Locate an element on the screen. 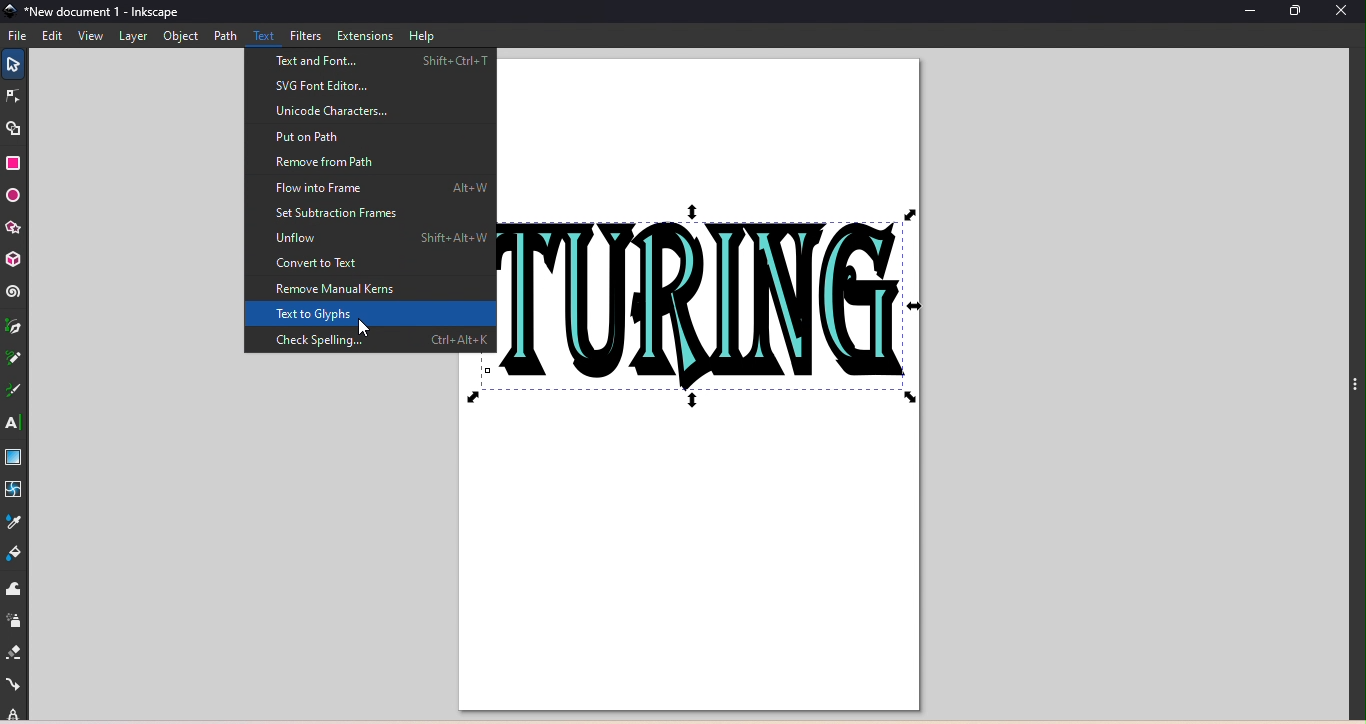 This screenshot has height=724, width=1366. Flow into frame is located at coordinates (371, 189).